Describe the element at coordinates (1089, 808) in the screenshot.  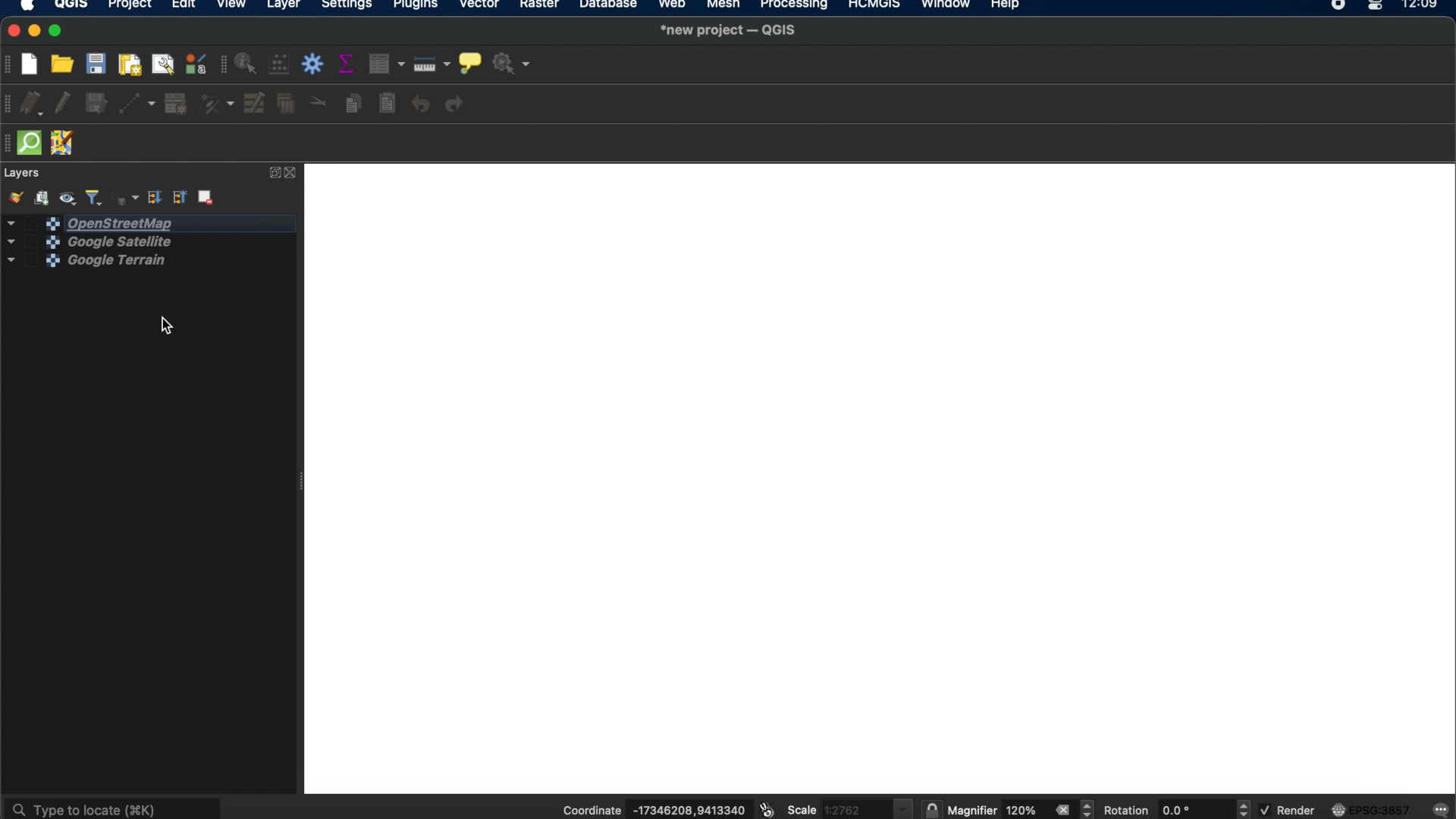
I see `magnifier increment decrement` at that location.